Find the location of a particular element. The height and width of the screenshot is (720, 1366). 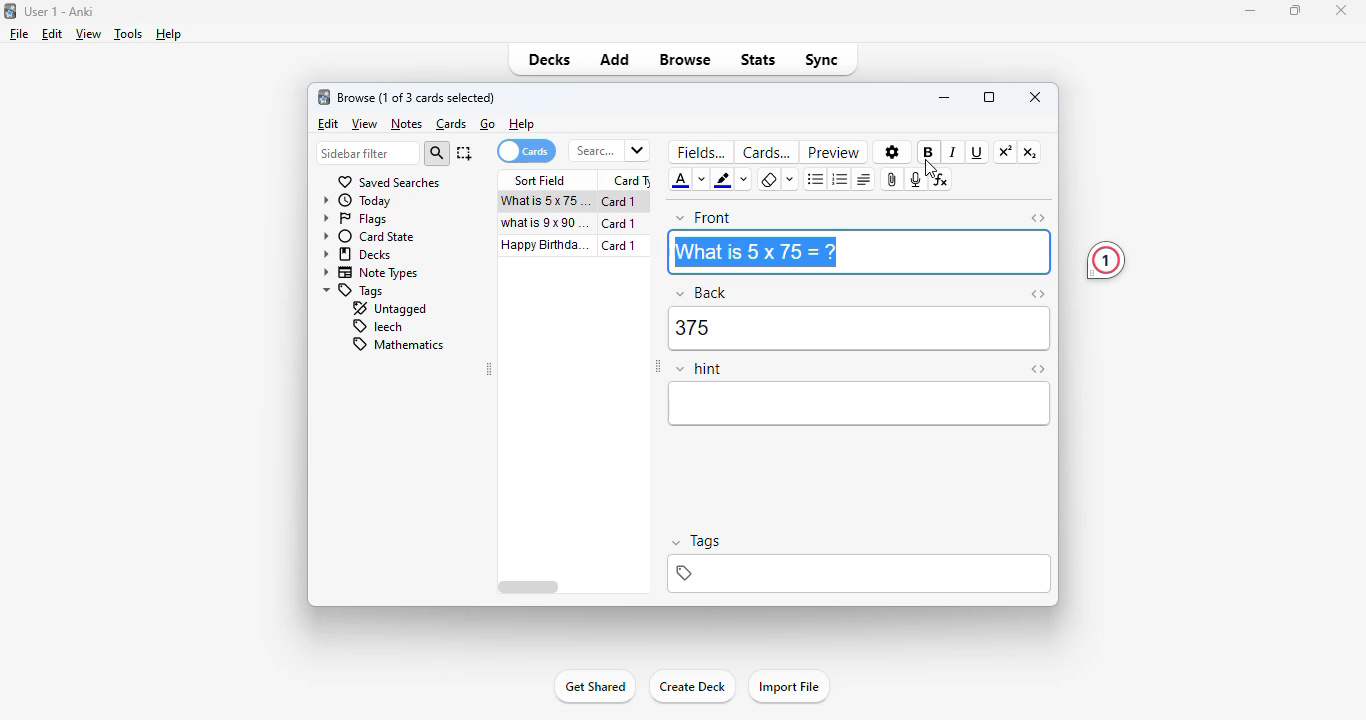

card 1 is located at coordinates (620, 224).